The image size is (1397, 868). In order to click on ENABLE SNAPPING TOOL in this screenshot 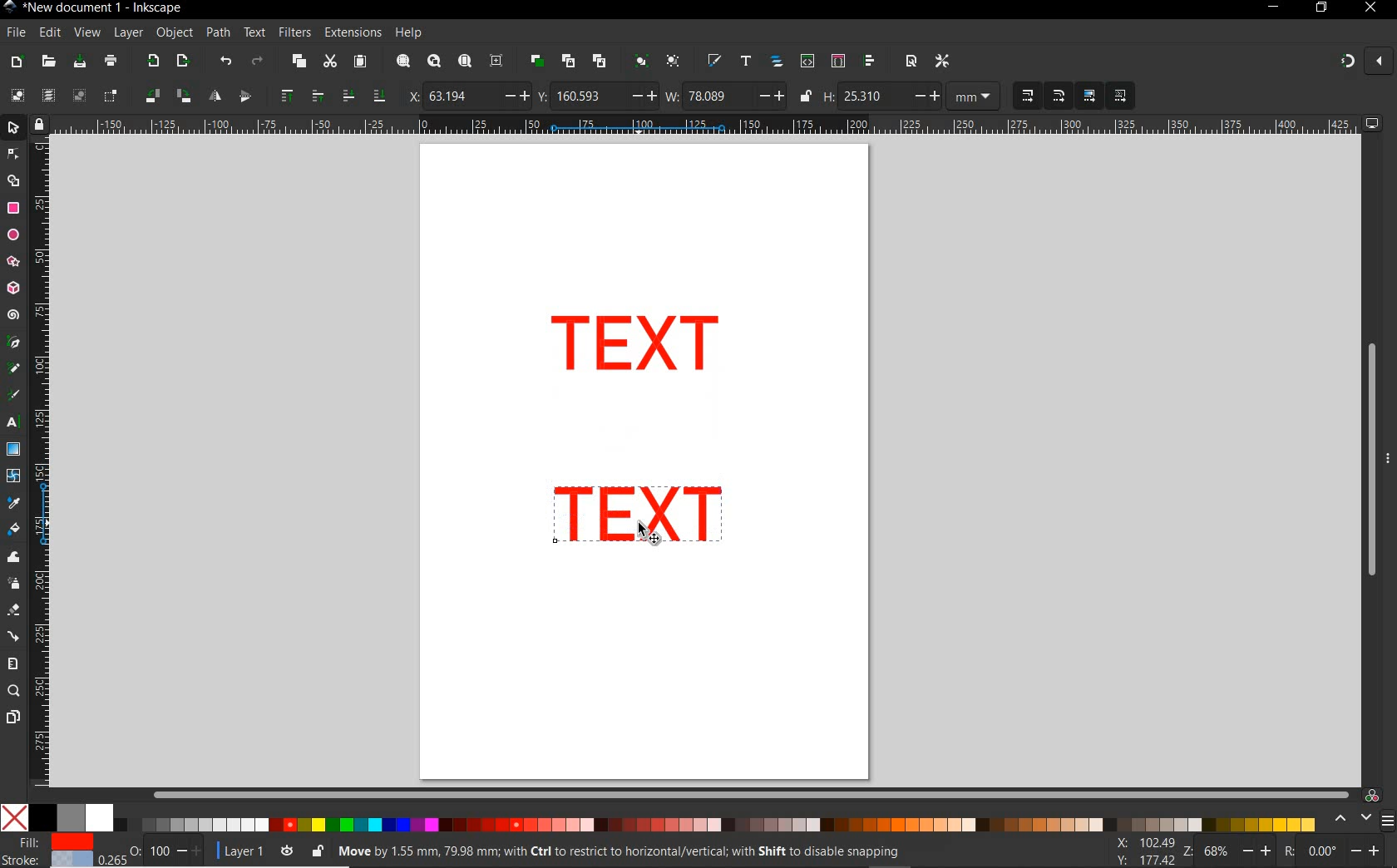, I will do `click(1356, 62)`.